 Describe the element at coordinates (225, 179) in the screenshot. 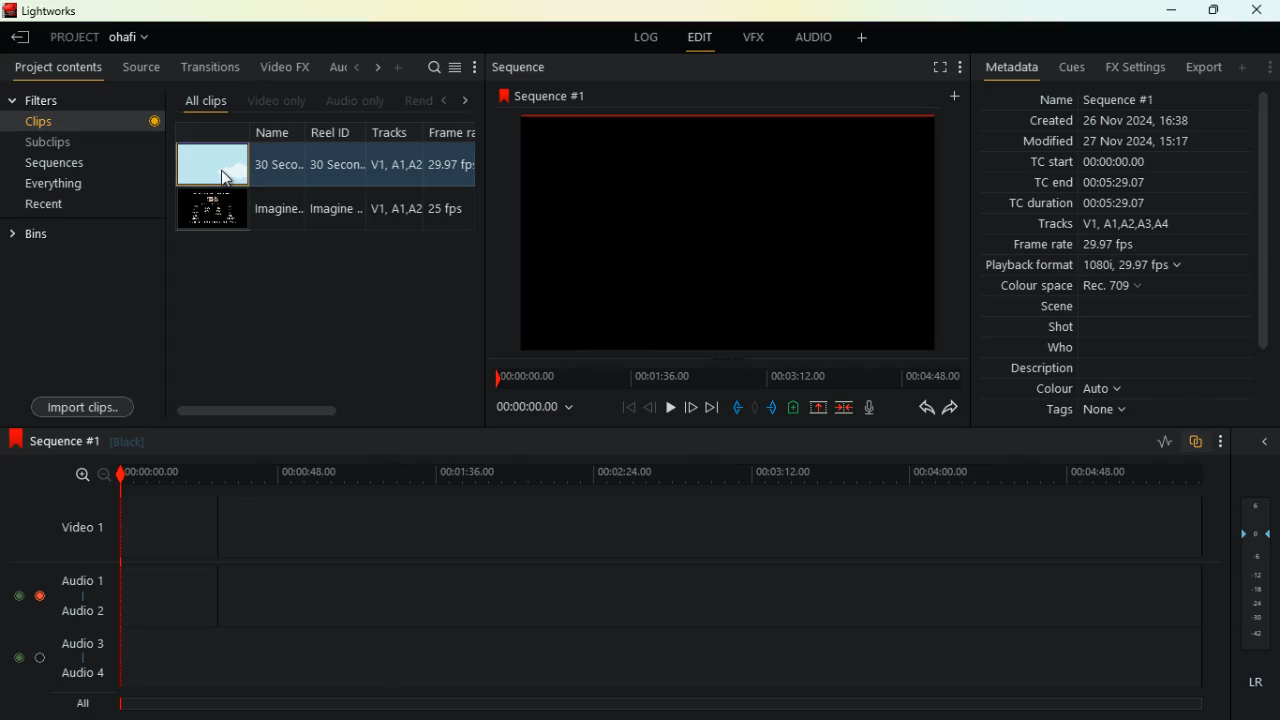

I see `Mouse Cursor` at that location.